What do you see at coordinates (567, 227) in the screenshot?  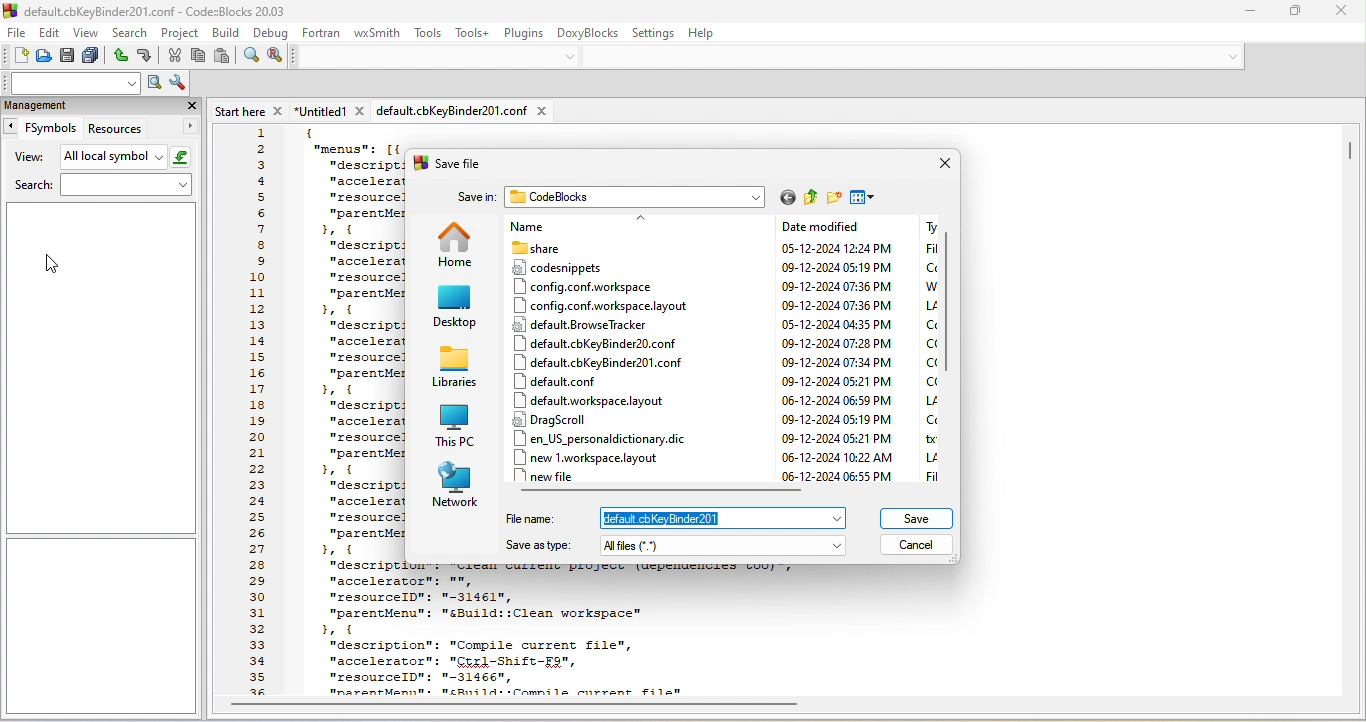 I see `name` at bounding box center [567, 227].